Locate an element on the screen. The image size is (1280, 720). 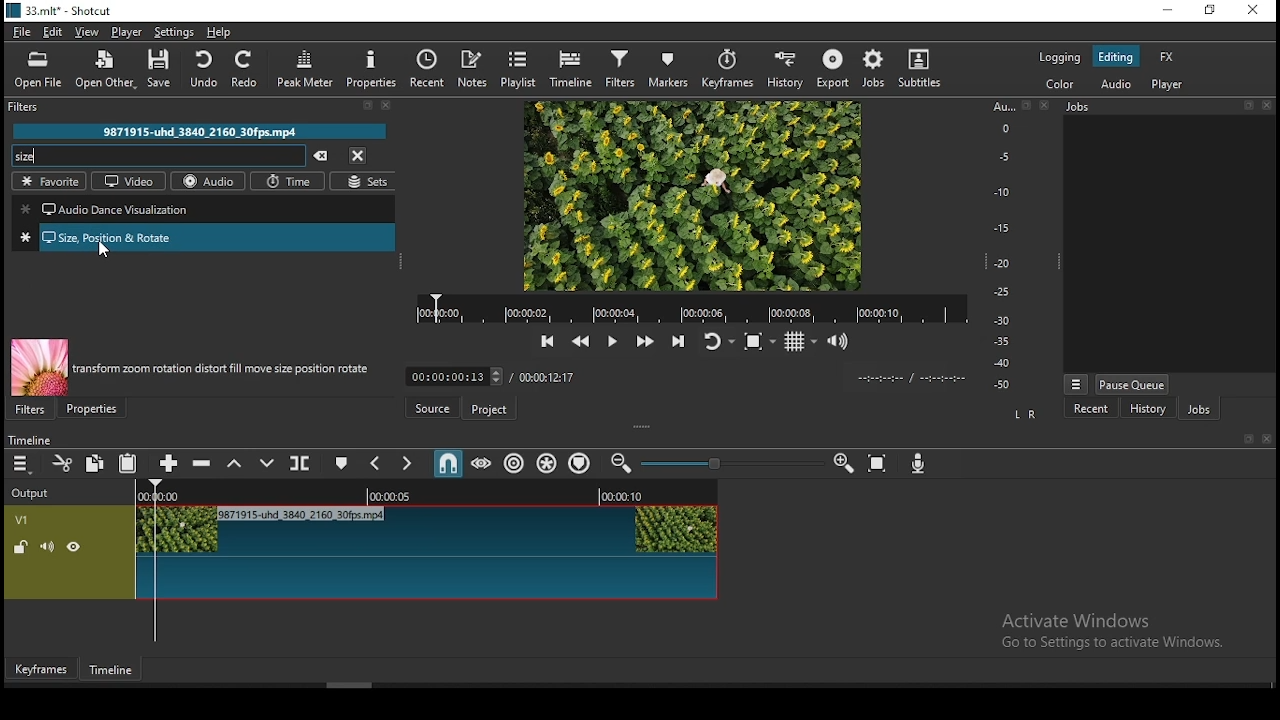
ripple delete is located at coordinates (203, 462).